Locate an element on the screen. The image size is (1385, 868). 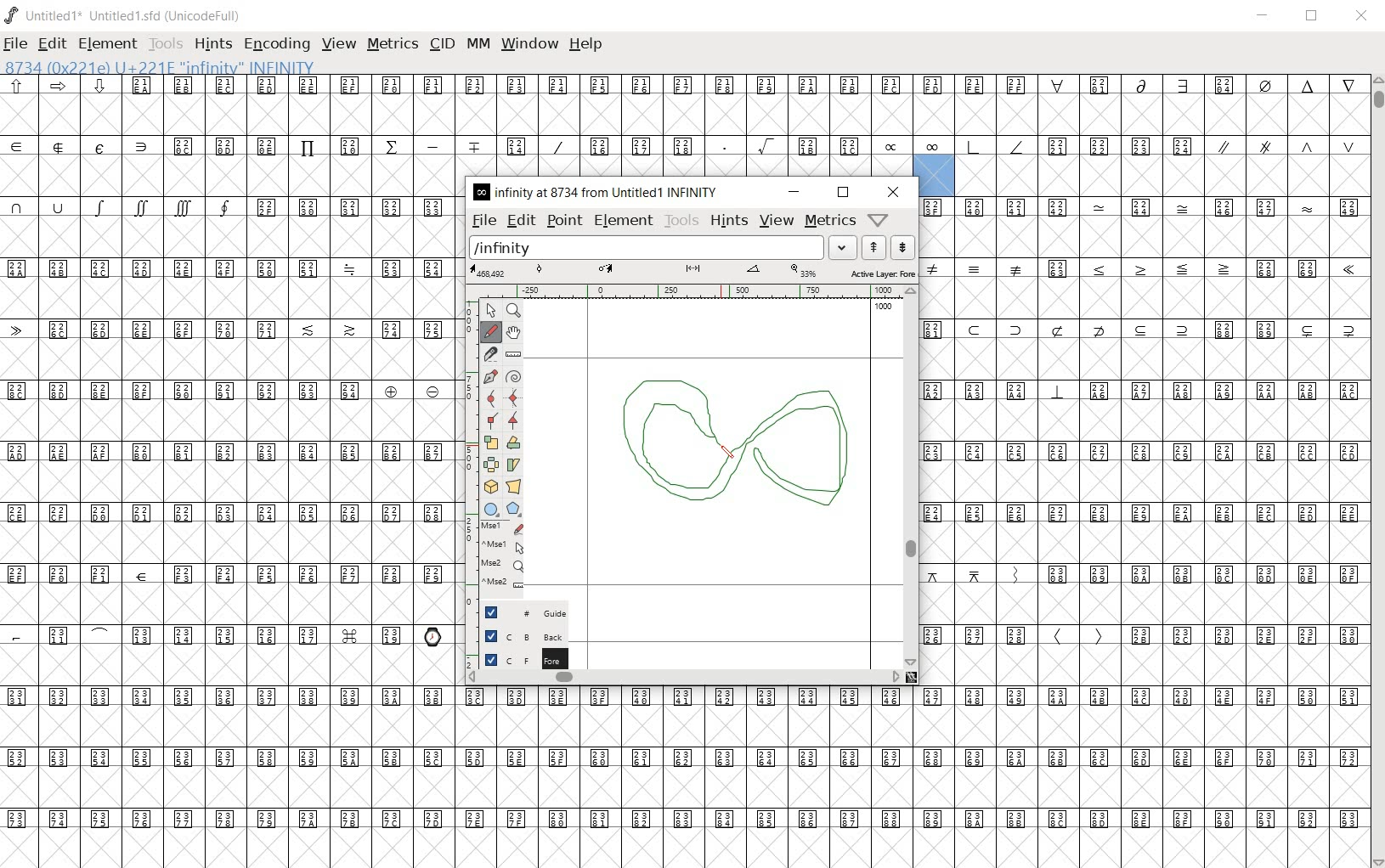
empty glyph slots is located at coordinates (682, 114).